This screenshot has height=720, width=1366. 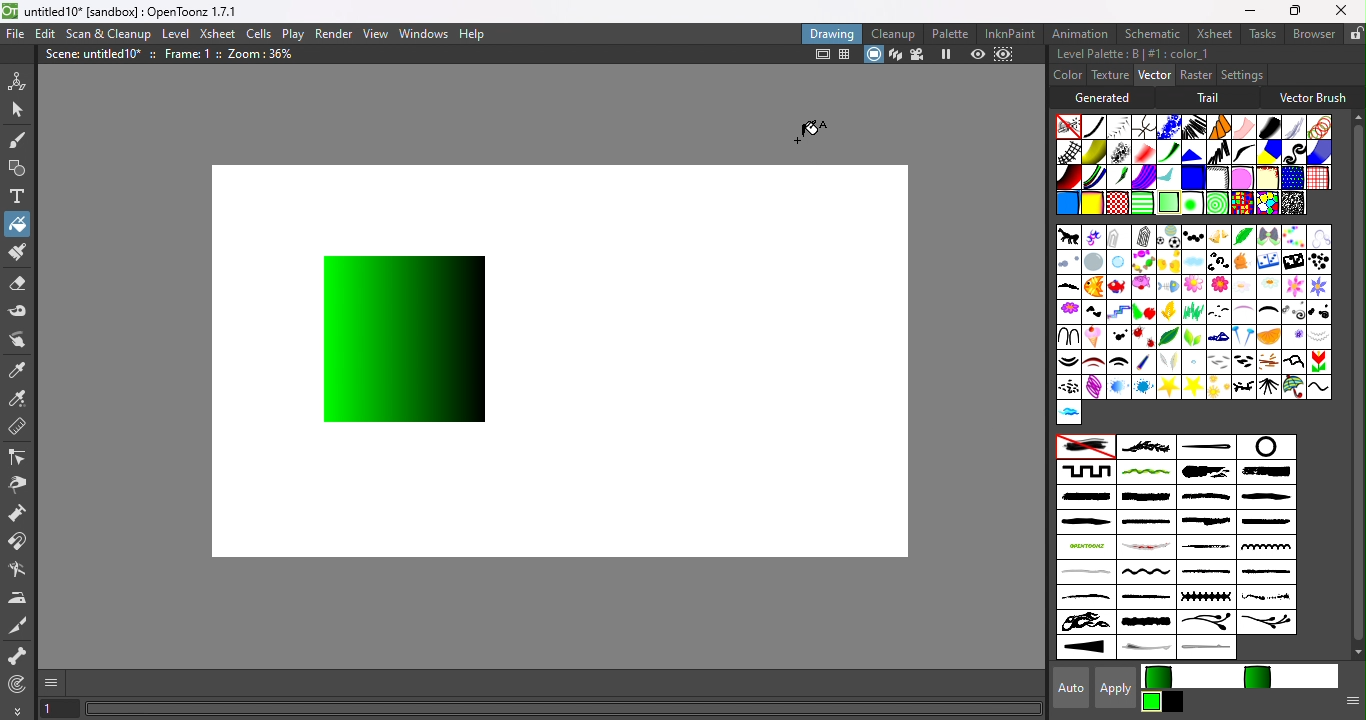 I want to click on Vanishing, so click(x=1268, y=125).